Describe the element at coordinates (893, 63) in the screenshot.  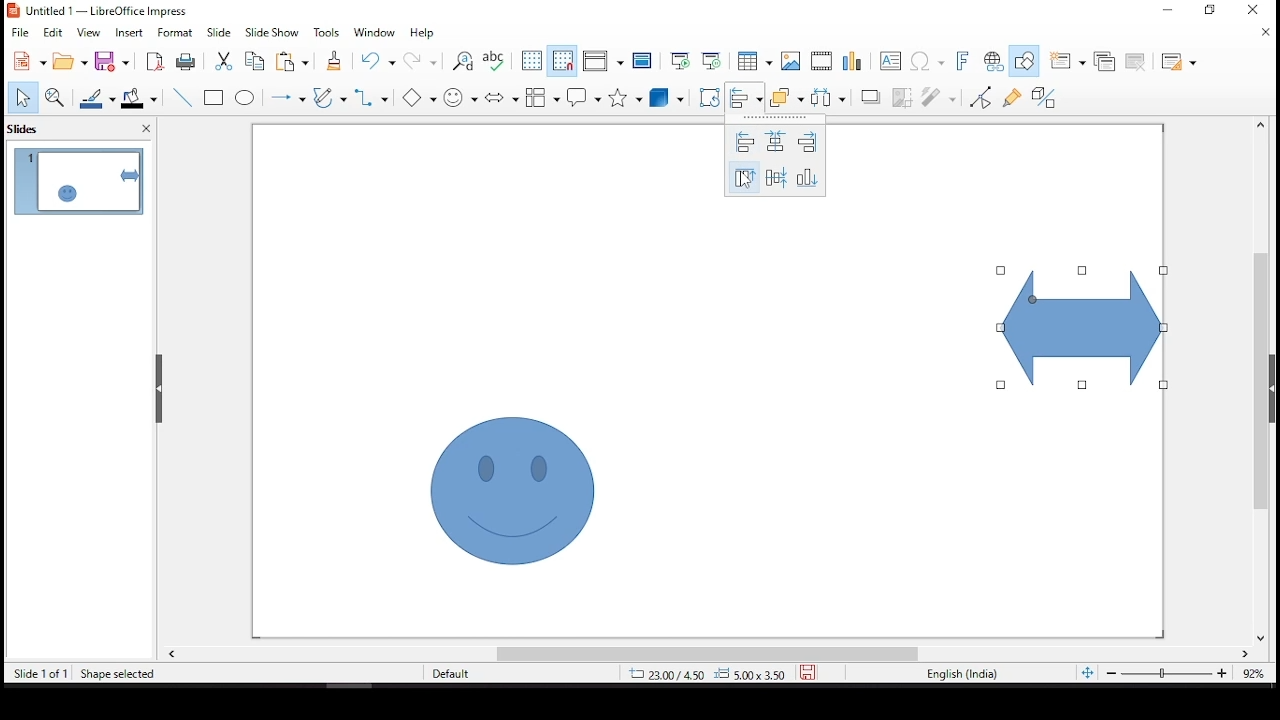
I see `text box` at that location.